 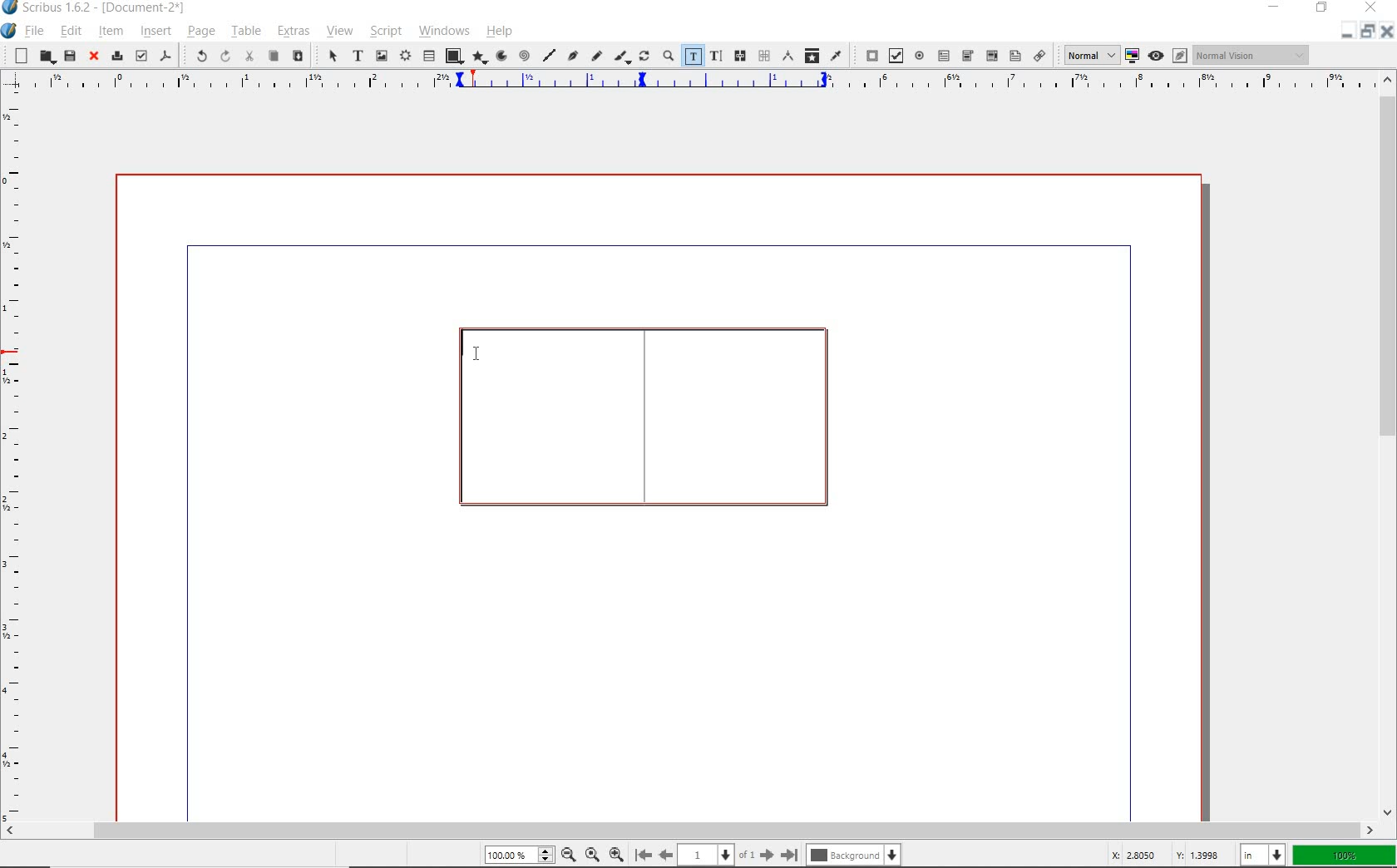 What do you see at coordinates (707, 854) in the screenshot?
I see `page ` at bounding box center [707, 854].